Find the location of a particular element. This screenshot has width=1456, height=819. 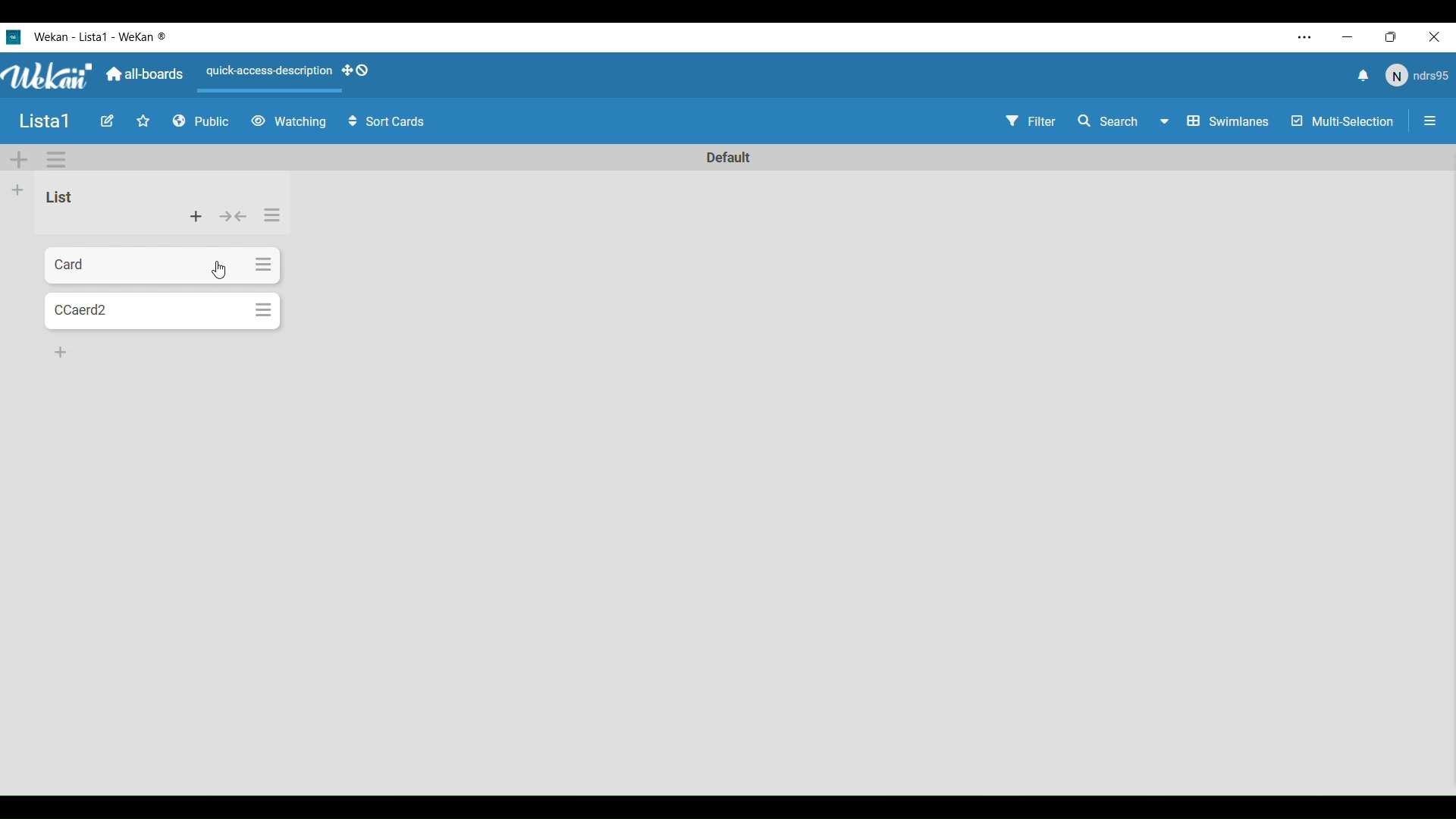

List is located at coordinates (58, 196).